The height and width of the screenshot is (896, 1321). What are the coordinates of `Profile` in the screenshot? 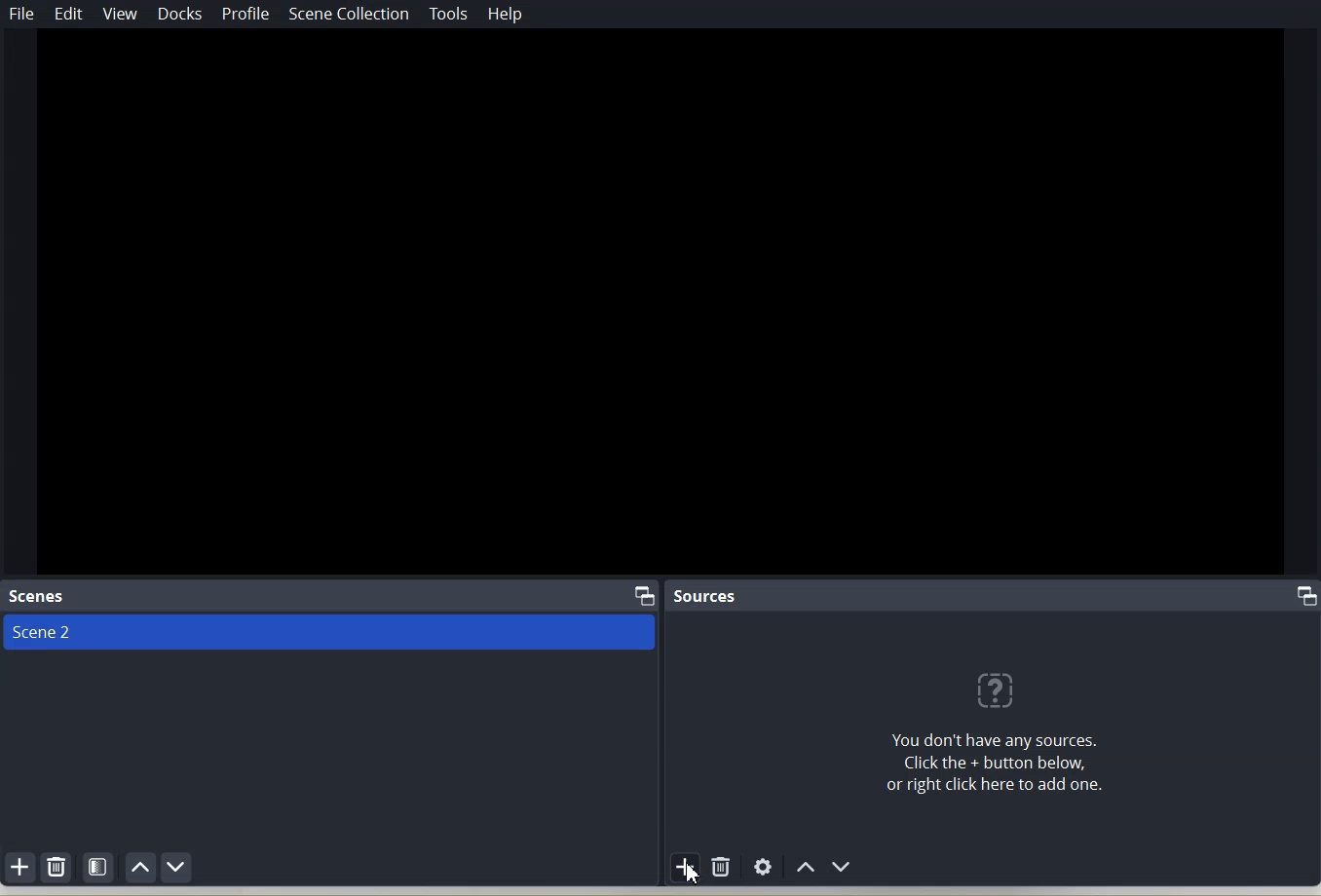 It's located at (245, 16).